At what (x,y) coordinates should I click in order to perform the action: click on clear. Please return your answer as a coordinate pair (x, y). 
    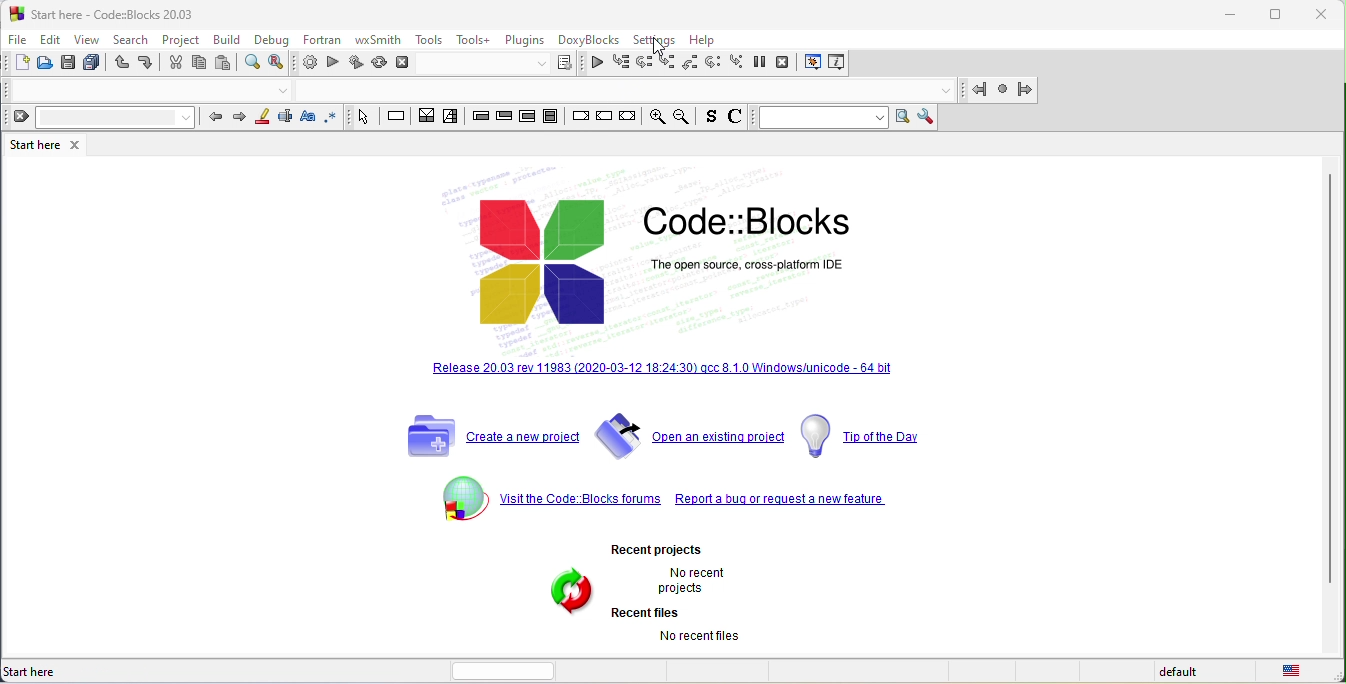
    Looking at the image, I should click on (101, 119).